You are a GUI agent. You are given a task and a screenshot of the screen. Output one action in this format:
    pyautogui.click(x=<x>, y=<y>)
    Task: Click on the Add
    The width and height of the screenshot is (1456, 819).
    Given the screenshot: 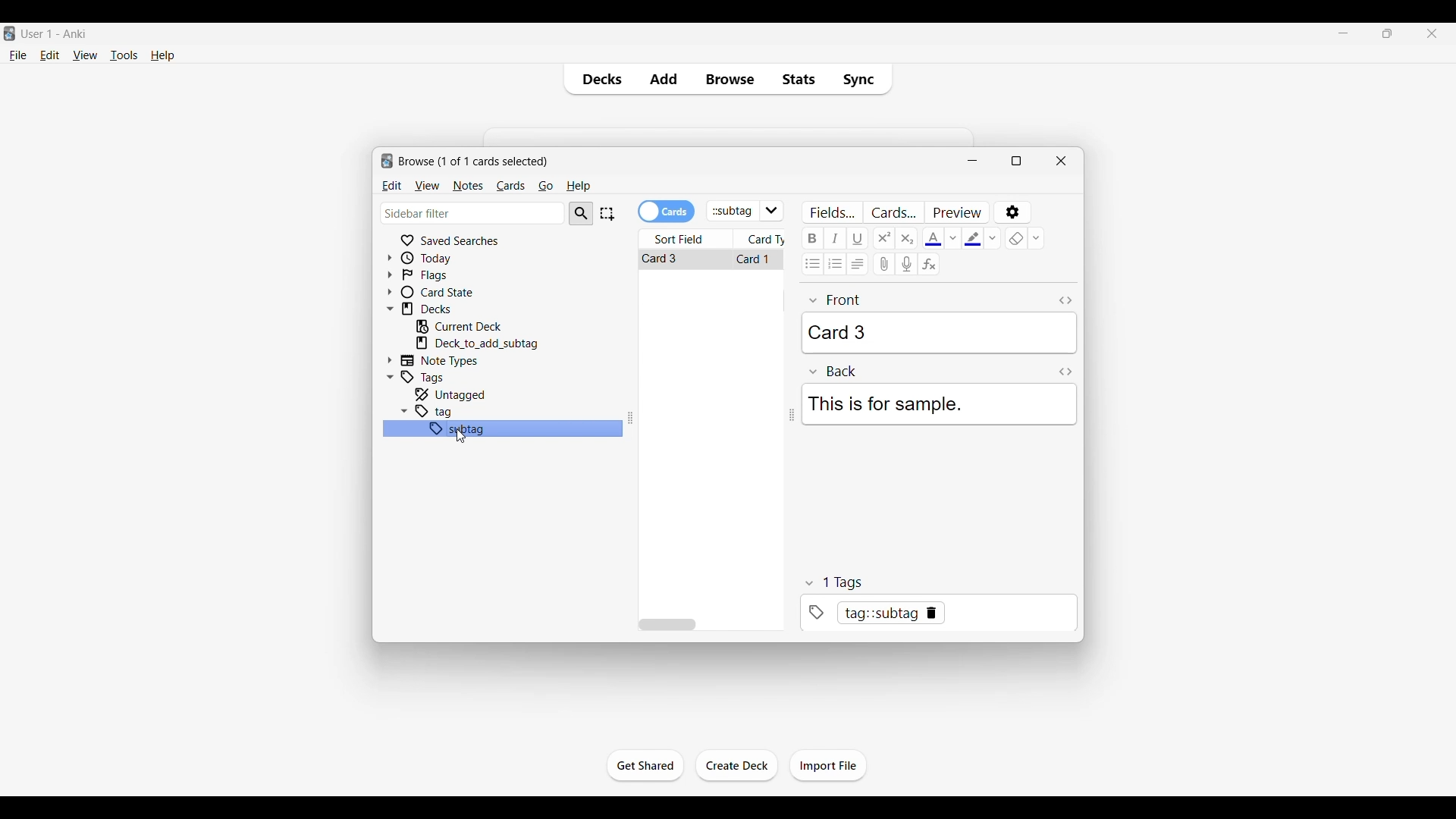 What is the action you would take?
    pyautogui.click(x=663, y=79)
    